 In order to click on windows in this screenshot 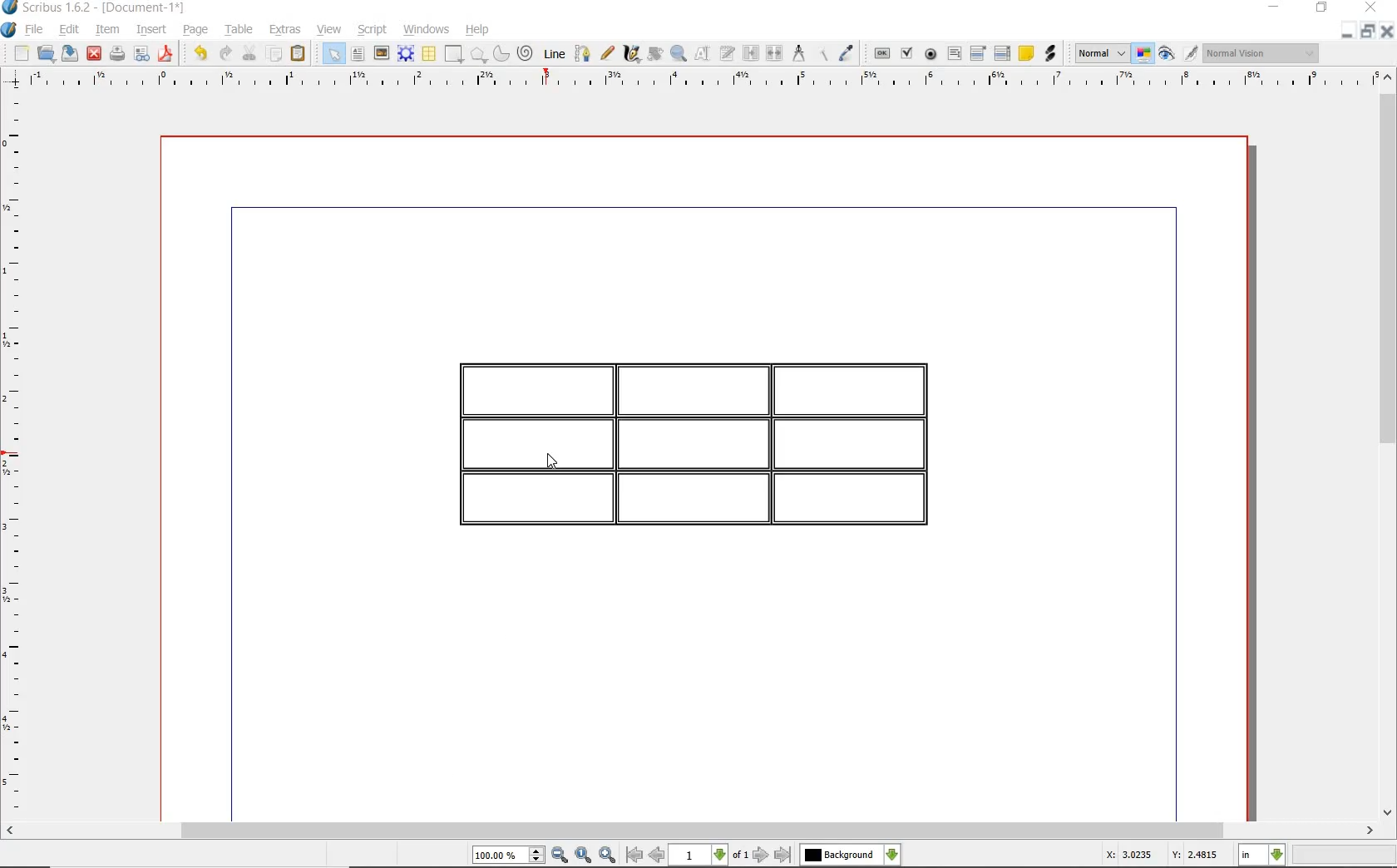, I will do `click(427, 29)`.